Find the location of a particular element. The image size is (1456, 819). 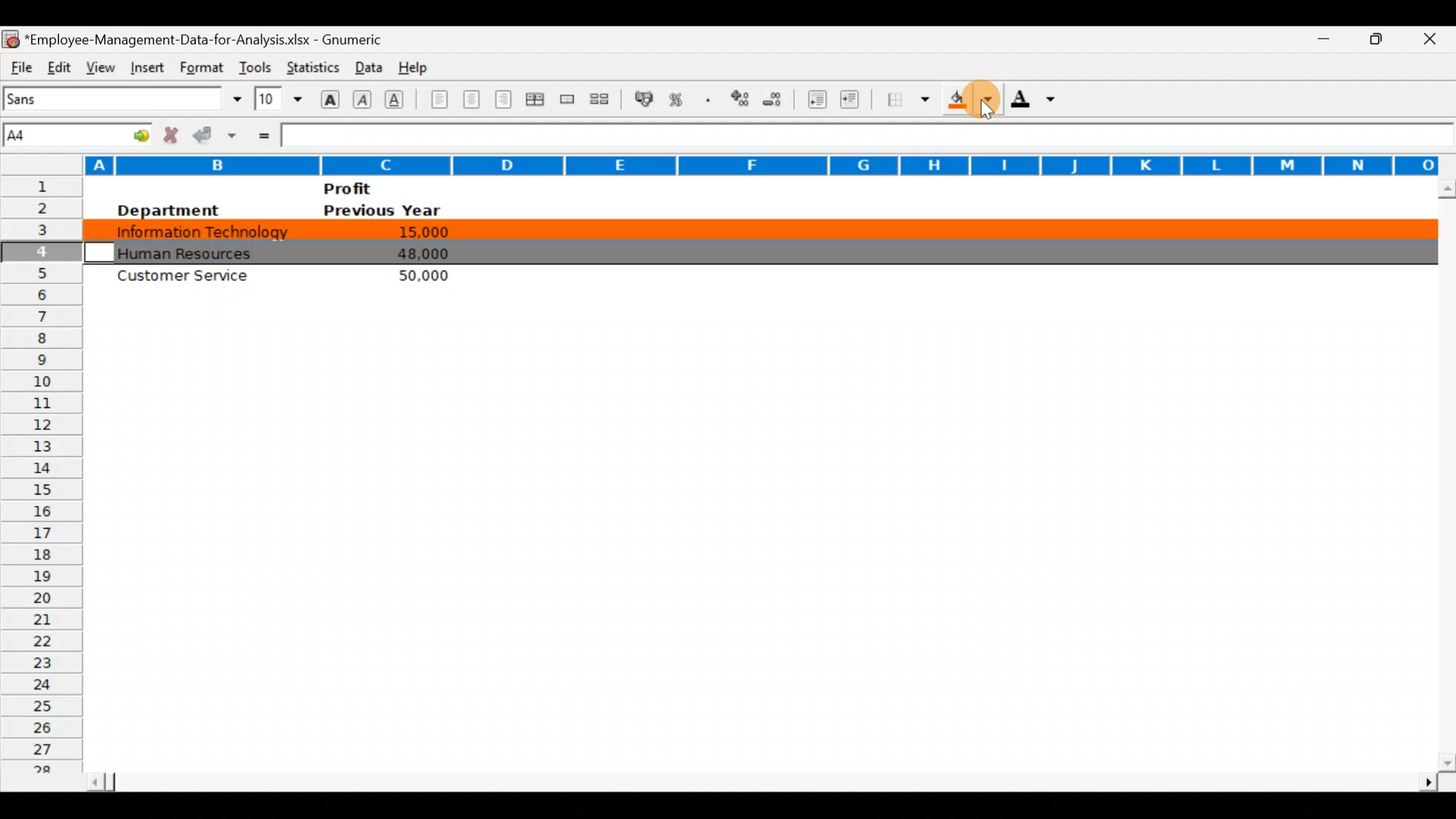

Background is located at coordinates (969, 104).